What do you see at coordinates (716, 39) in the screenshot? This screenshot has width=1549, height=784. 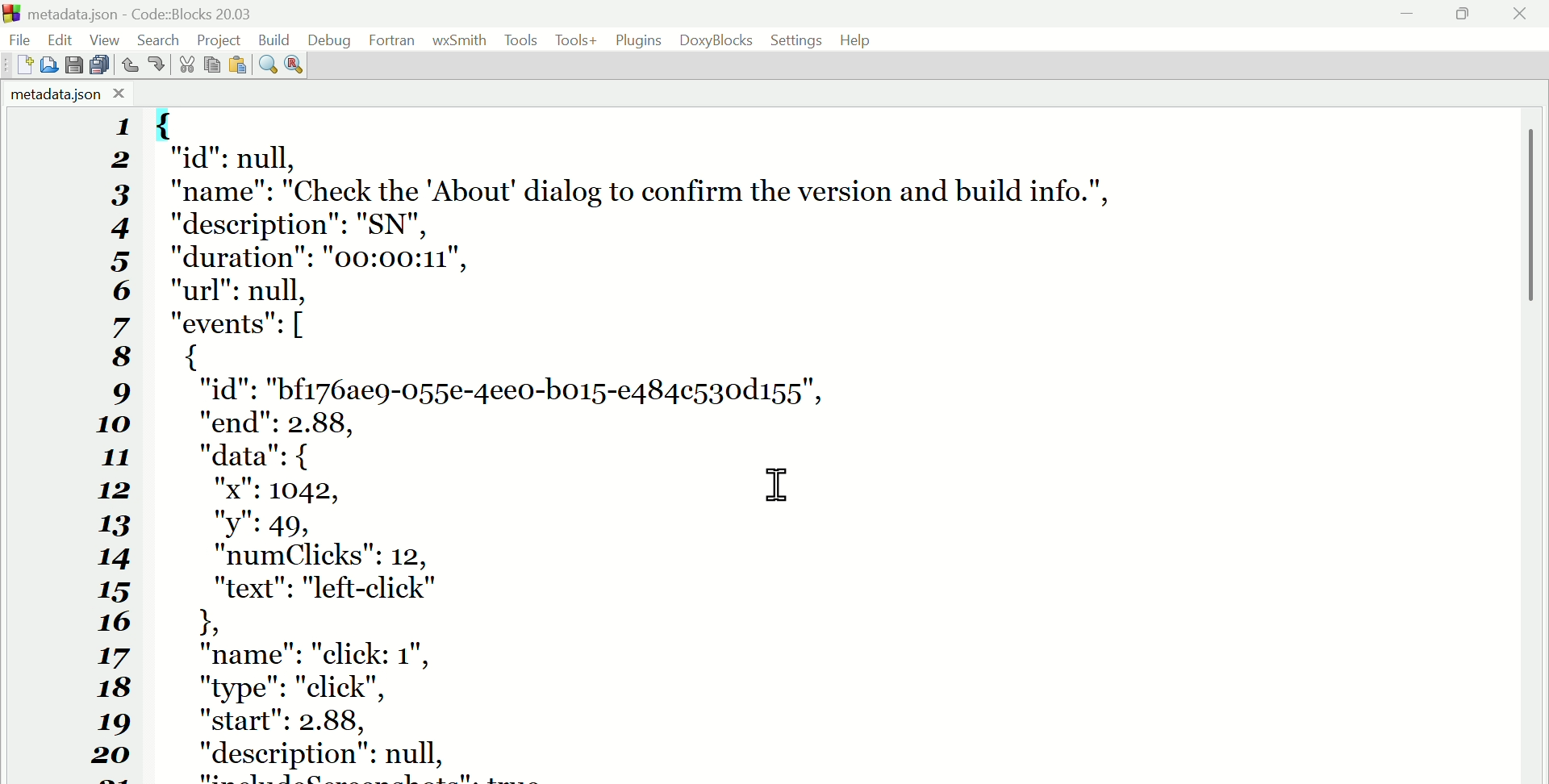 I see `Doxyblocks` at bounding box center [716, 39].